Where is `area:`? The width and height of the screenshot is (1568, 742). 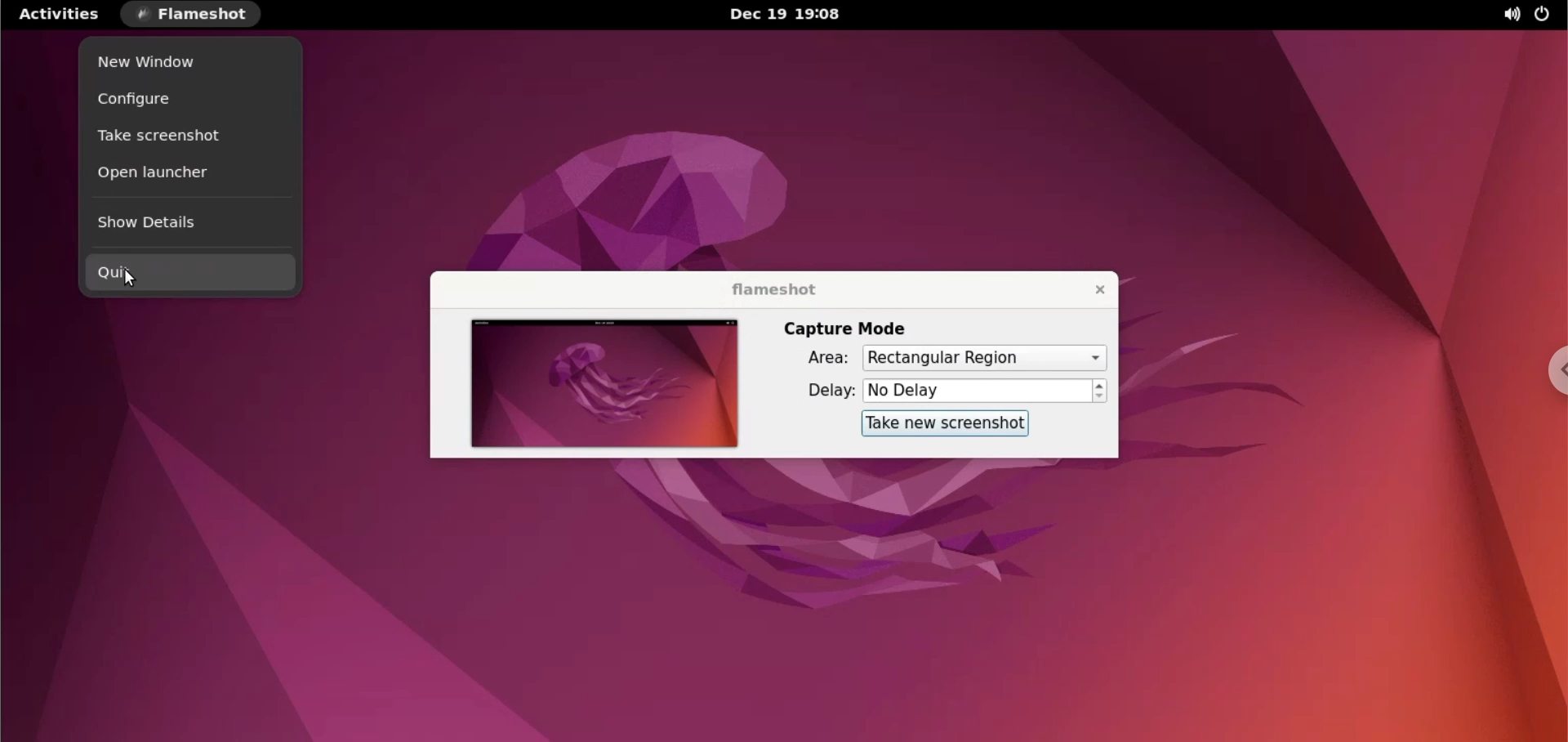 area: is located at coordinates (812, 358).